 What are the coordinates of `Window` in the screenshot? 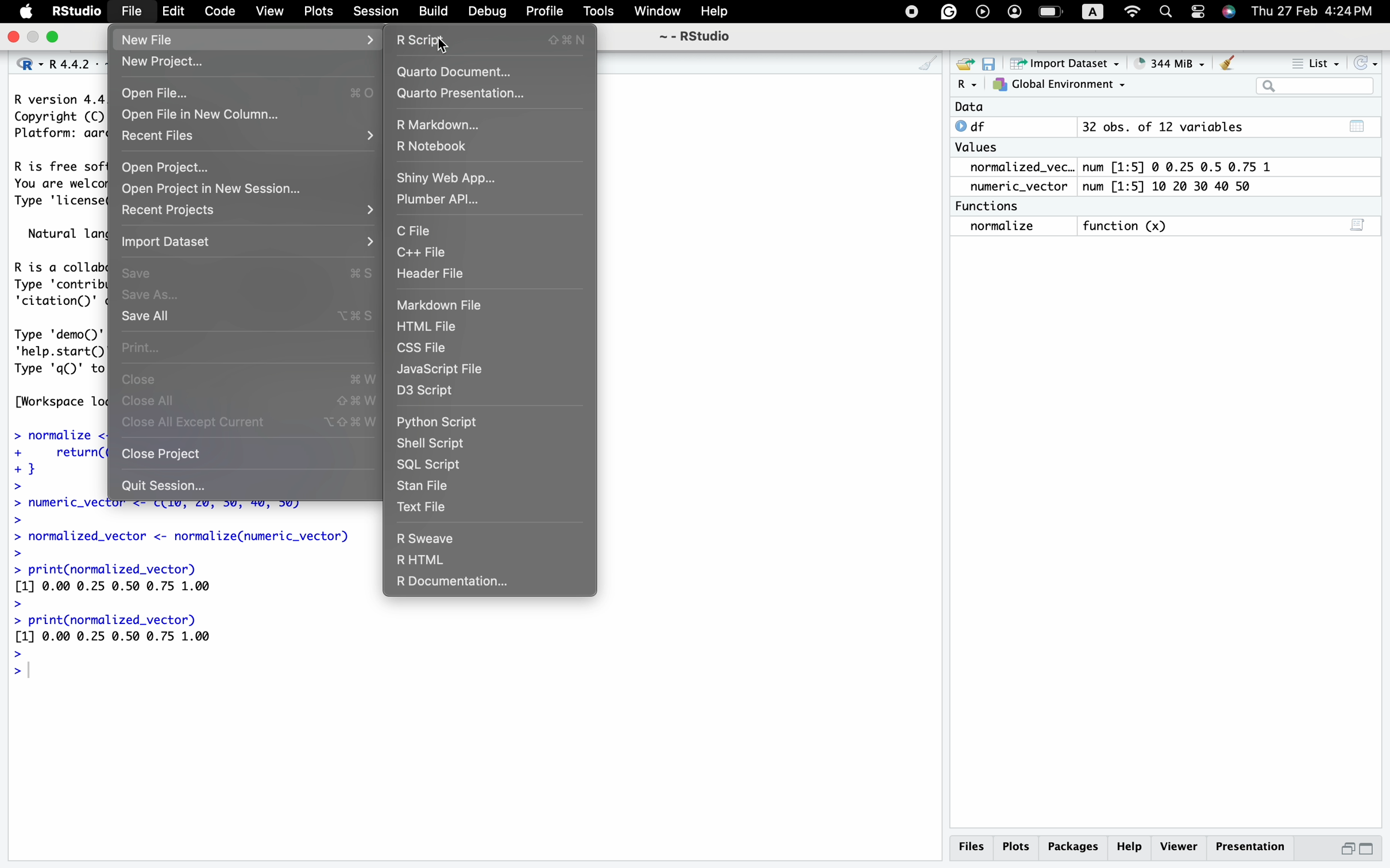 It's located at (655, 13).